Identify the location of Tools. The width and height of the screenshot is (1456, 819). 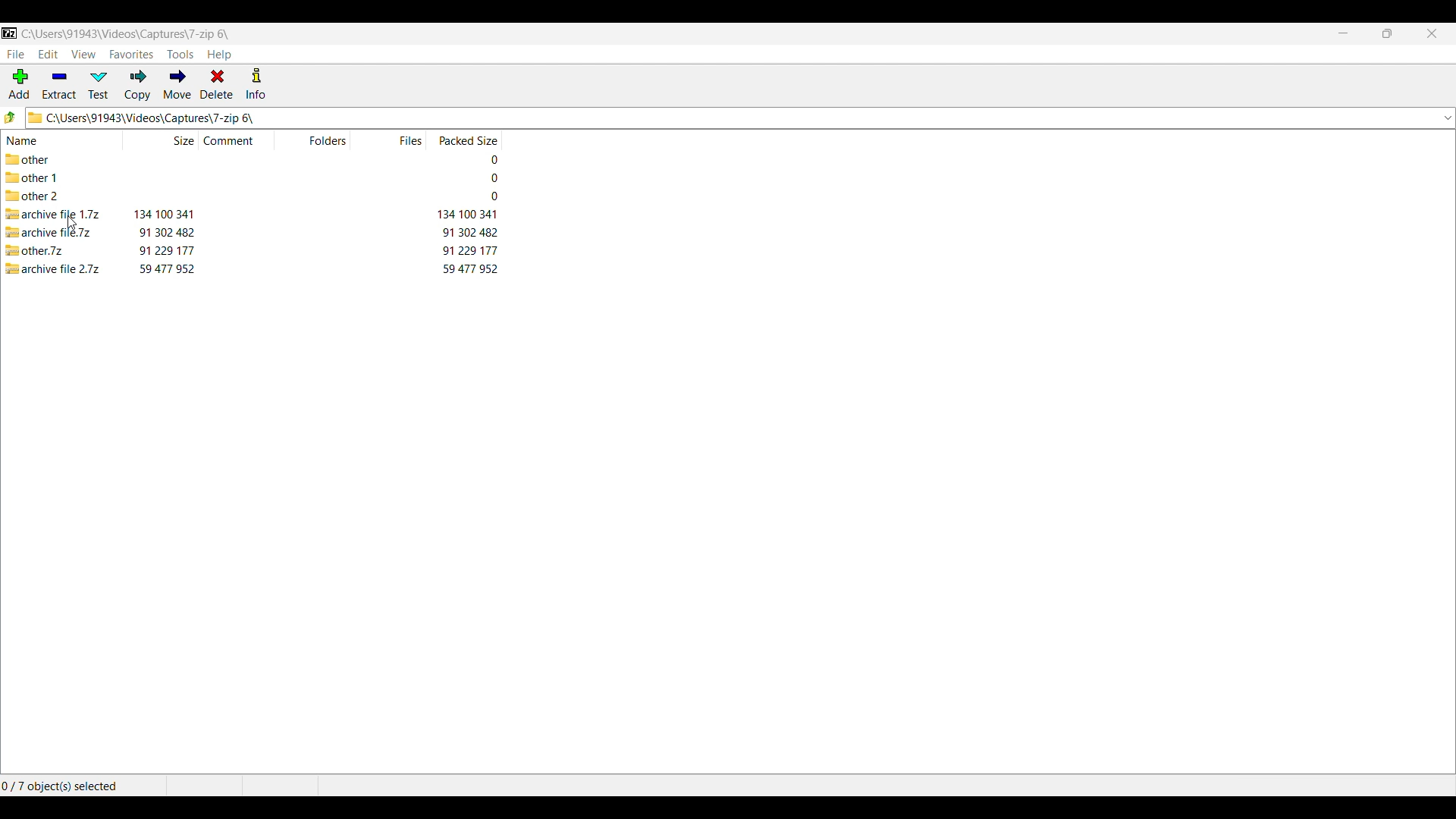
(180, 55).